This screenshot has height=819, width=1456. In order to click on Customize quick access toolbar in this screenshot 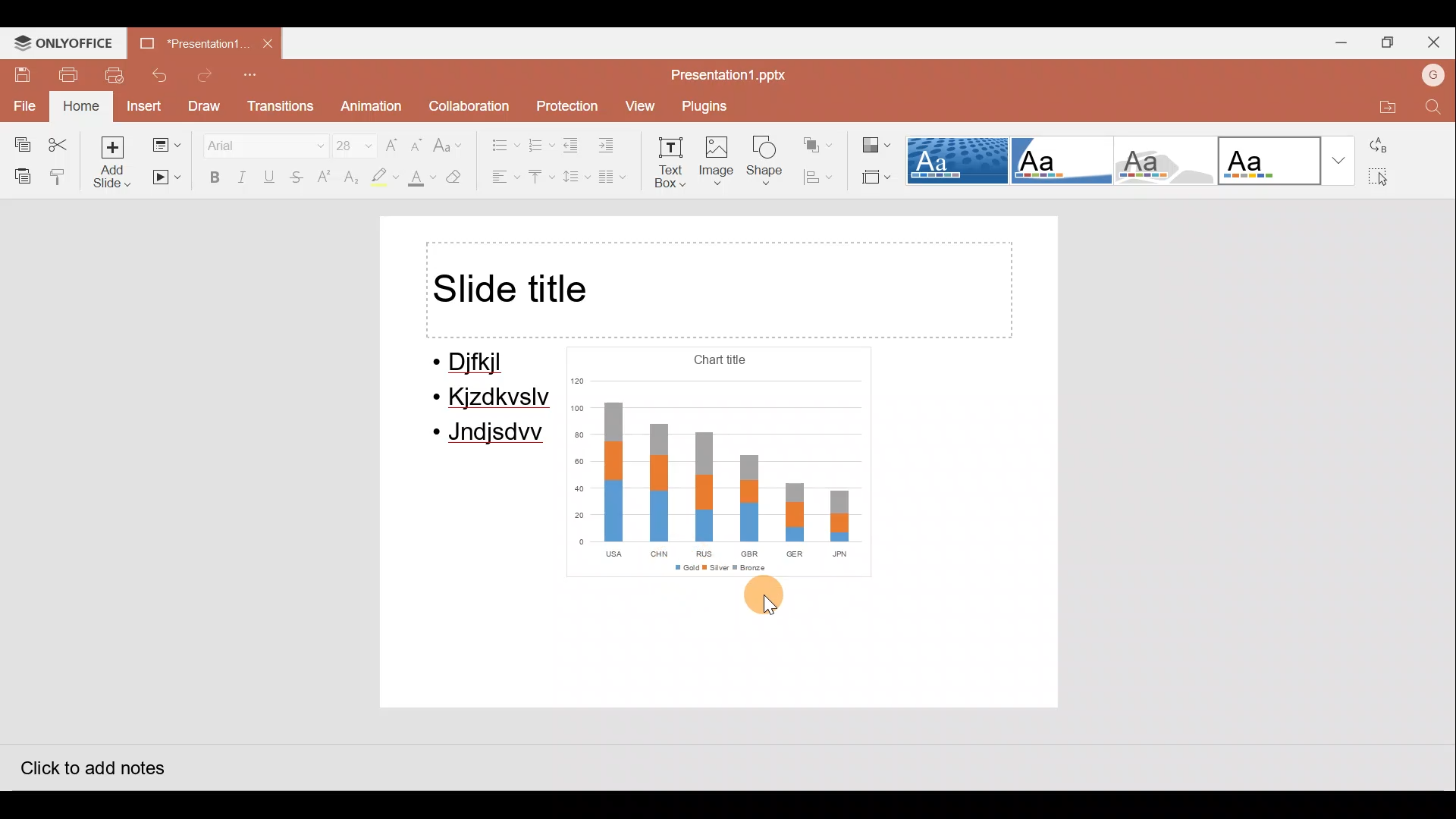, I will do `click(254, 76)`.